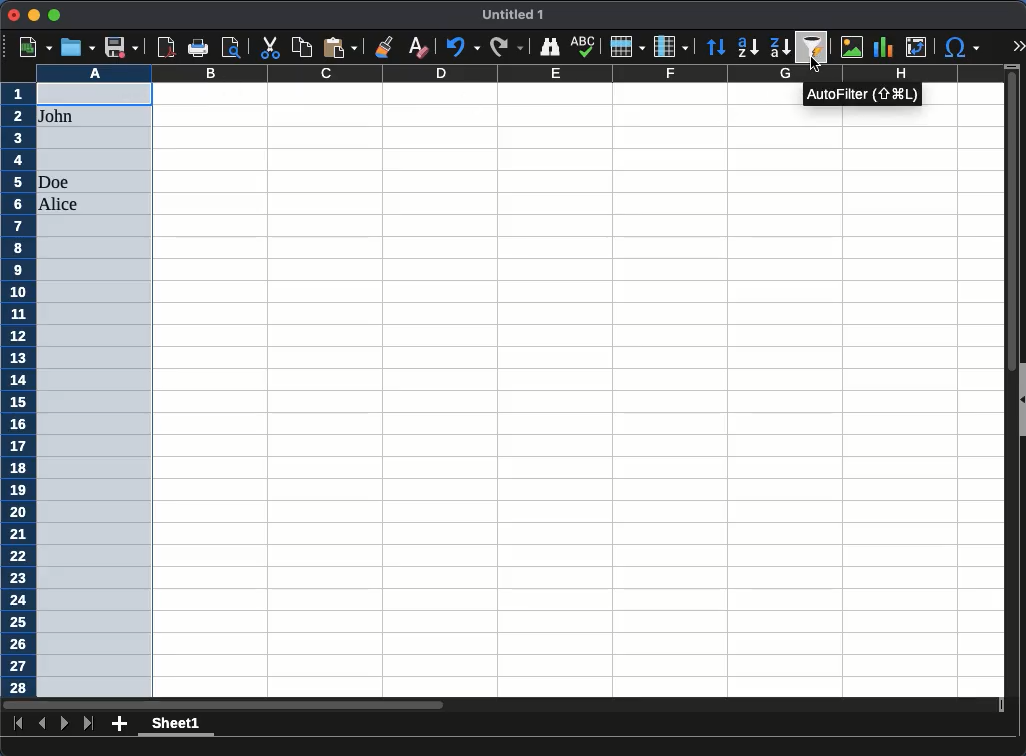  Describe the element at coordinates (781, 48) in the screenshot. I see `descending` at that location.